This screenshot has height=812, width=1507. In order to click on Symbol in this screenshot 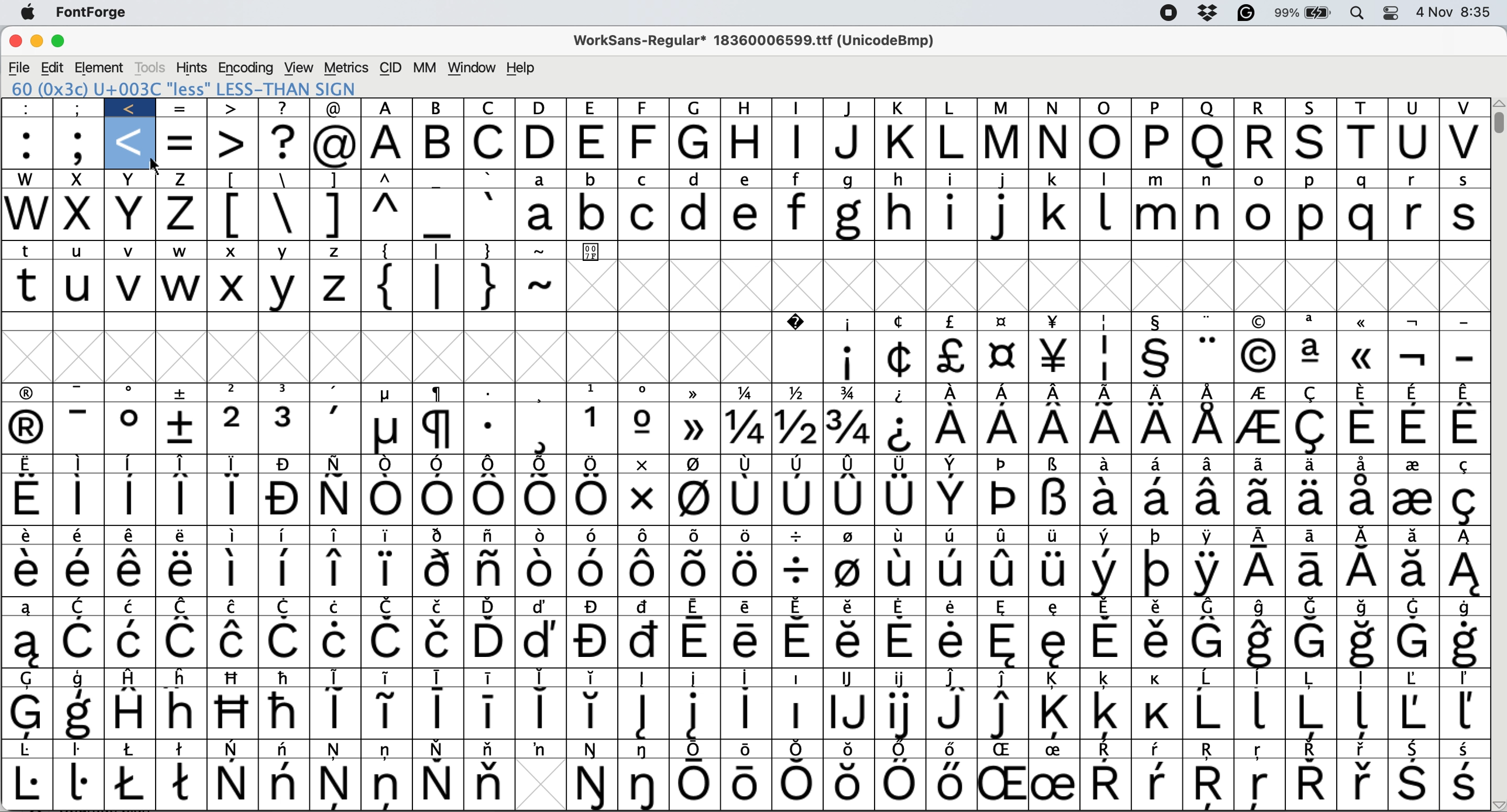, I will do `click(542, 749)`.